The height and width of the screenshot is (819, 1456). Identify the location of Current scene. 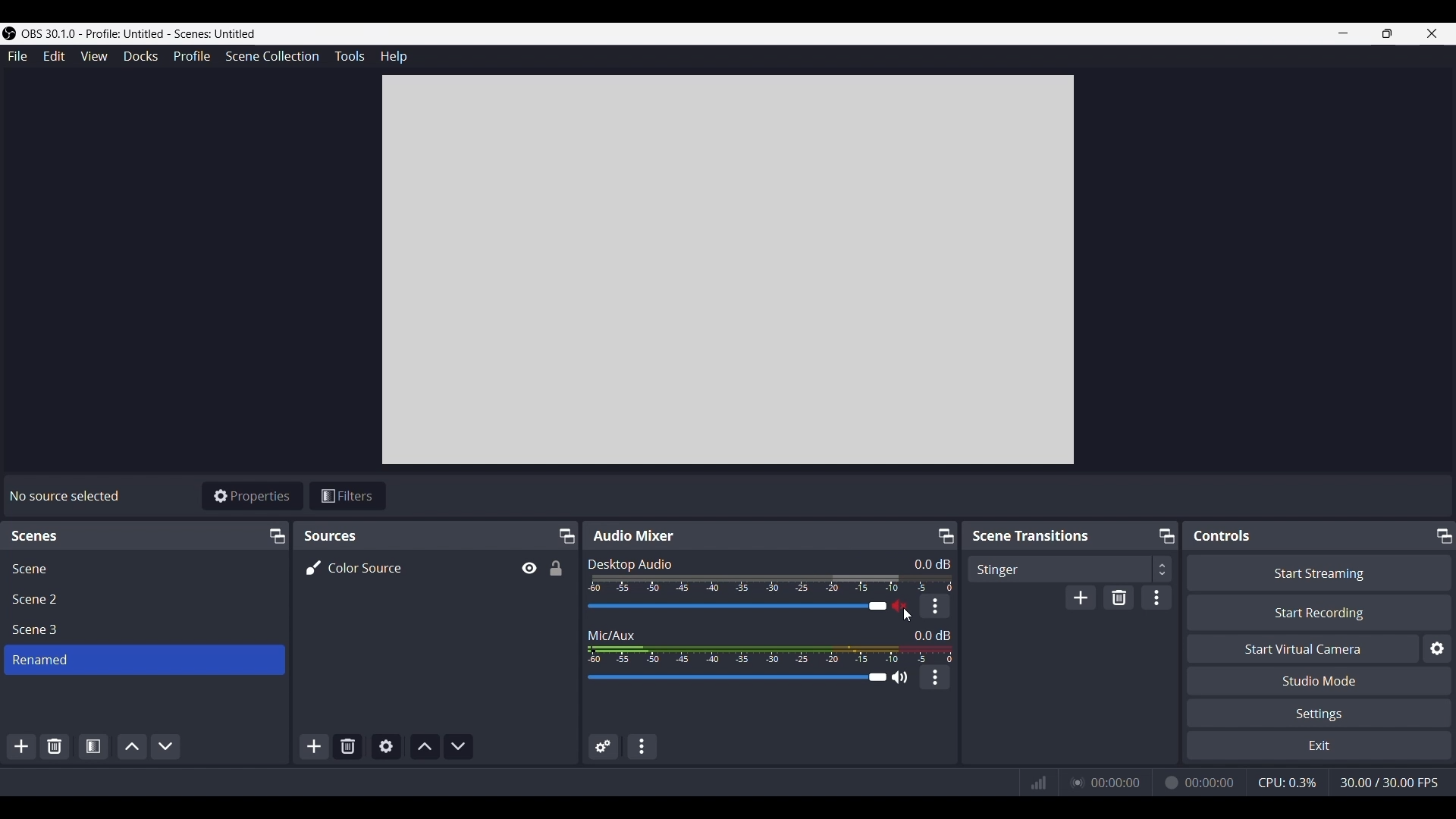
(146, 659).